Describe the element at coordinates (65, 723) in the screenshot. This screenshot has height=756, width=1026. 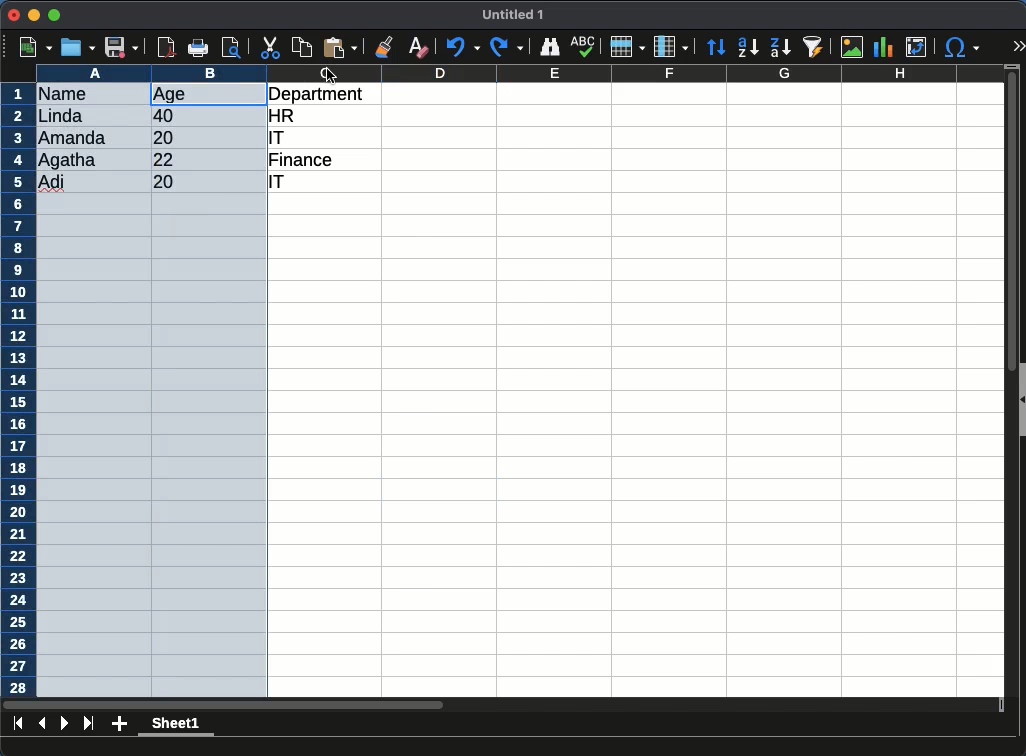
I see `next page` at that location.